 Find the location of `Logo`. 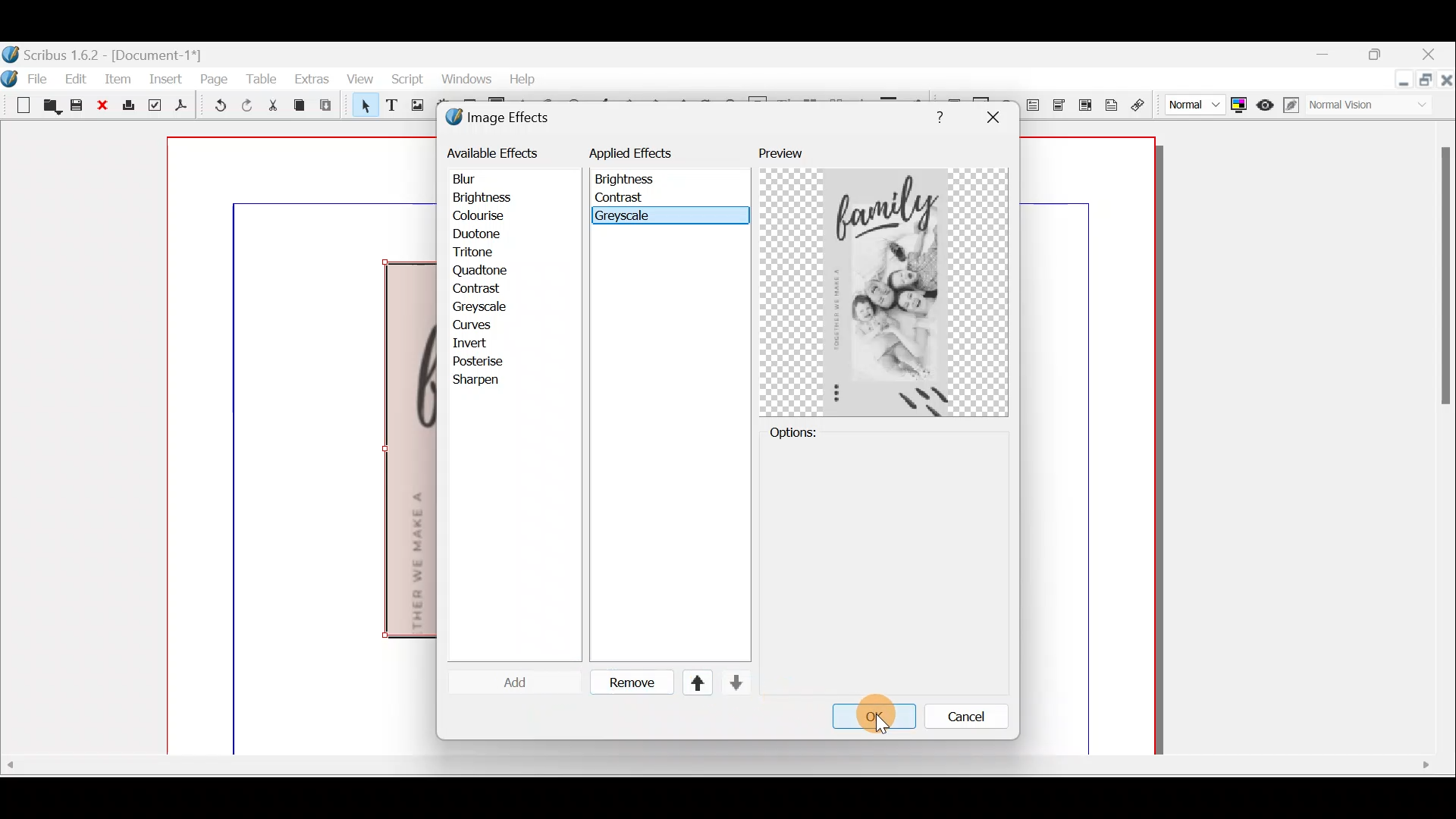

Logo is located at coordinates (12, 78).